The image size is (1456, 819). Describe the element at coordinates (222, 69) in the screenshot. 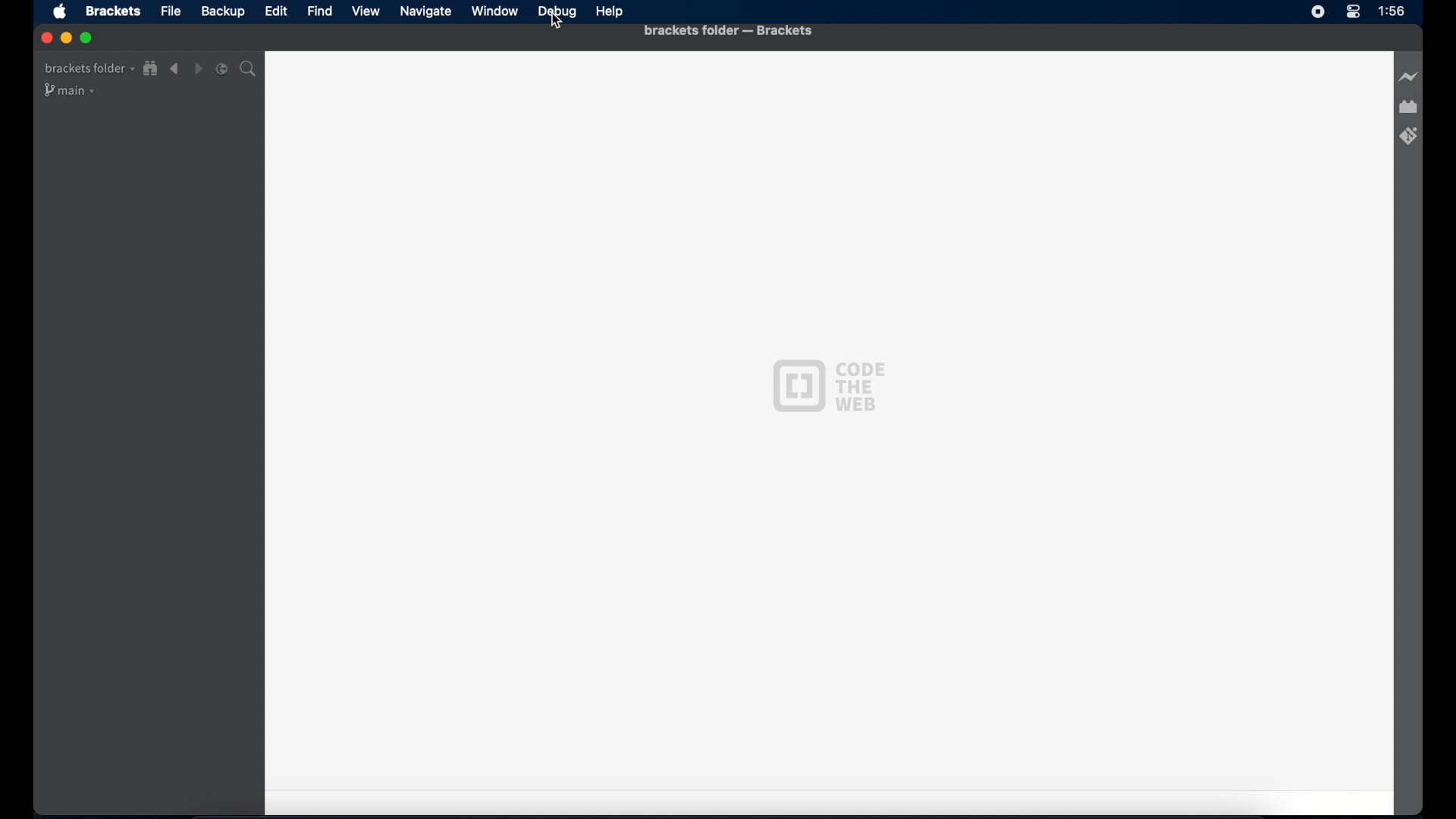

I see `split editor vertical or horizontal` at that location.